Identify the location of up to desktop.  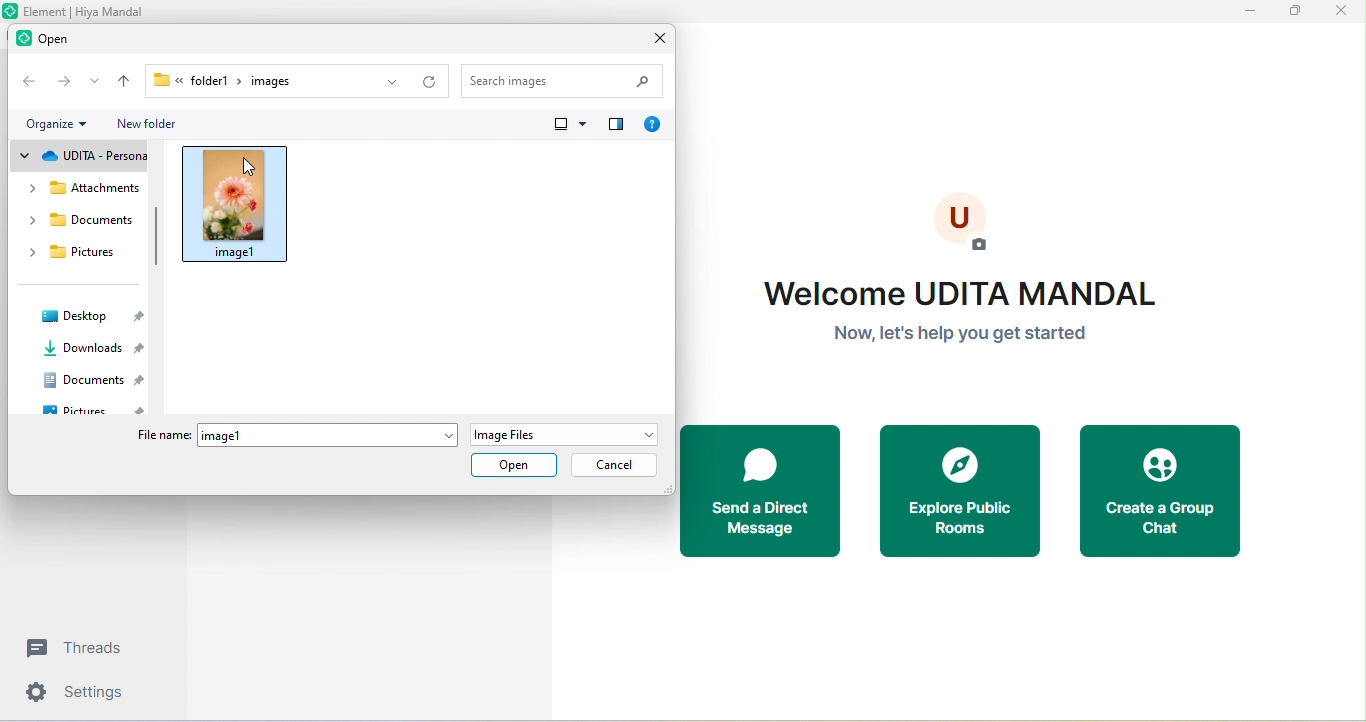
(124, 83).